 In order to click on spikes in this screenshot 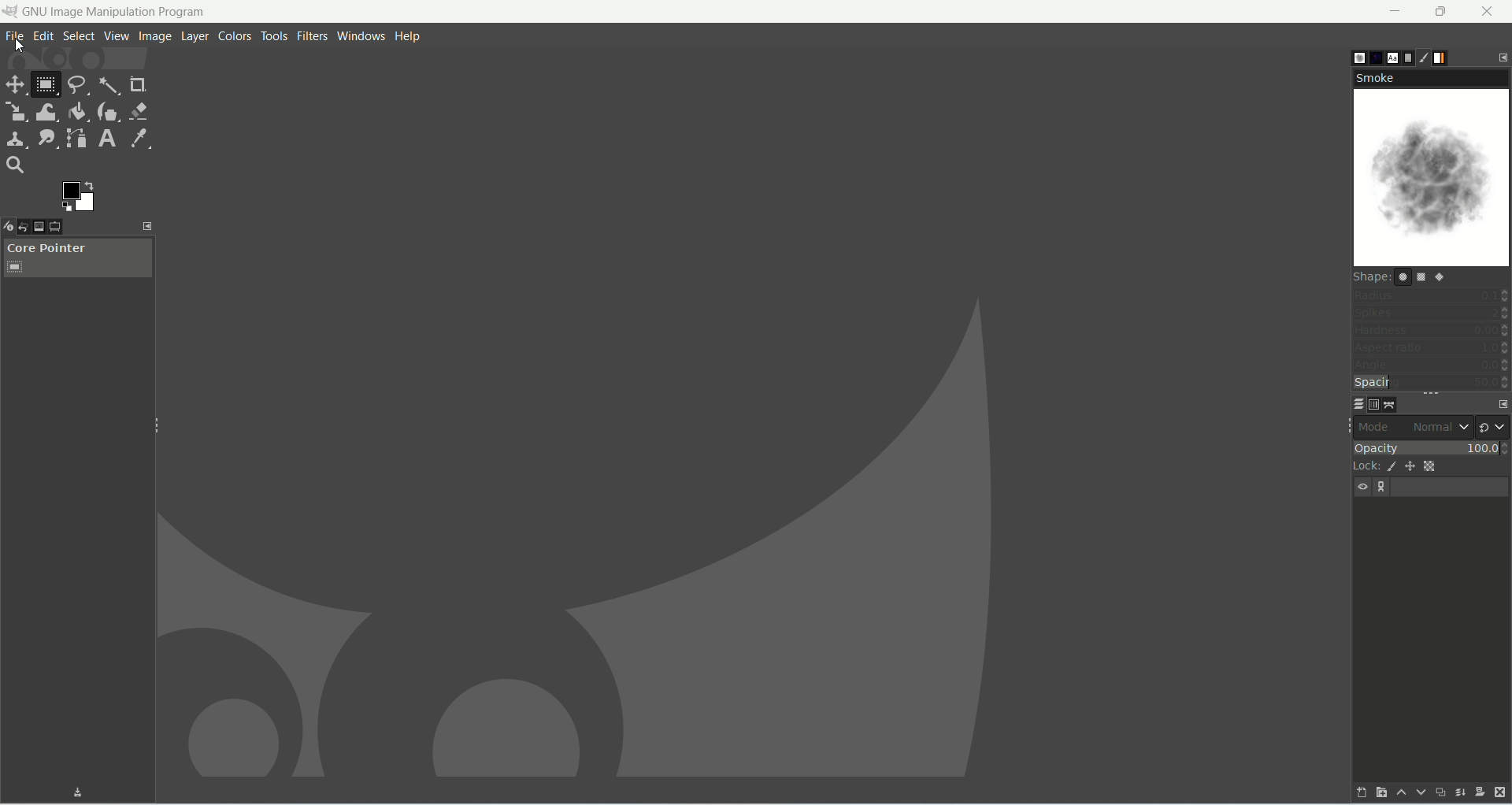, I will do `click(1432, 311)`.